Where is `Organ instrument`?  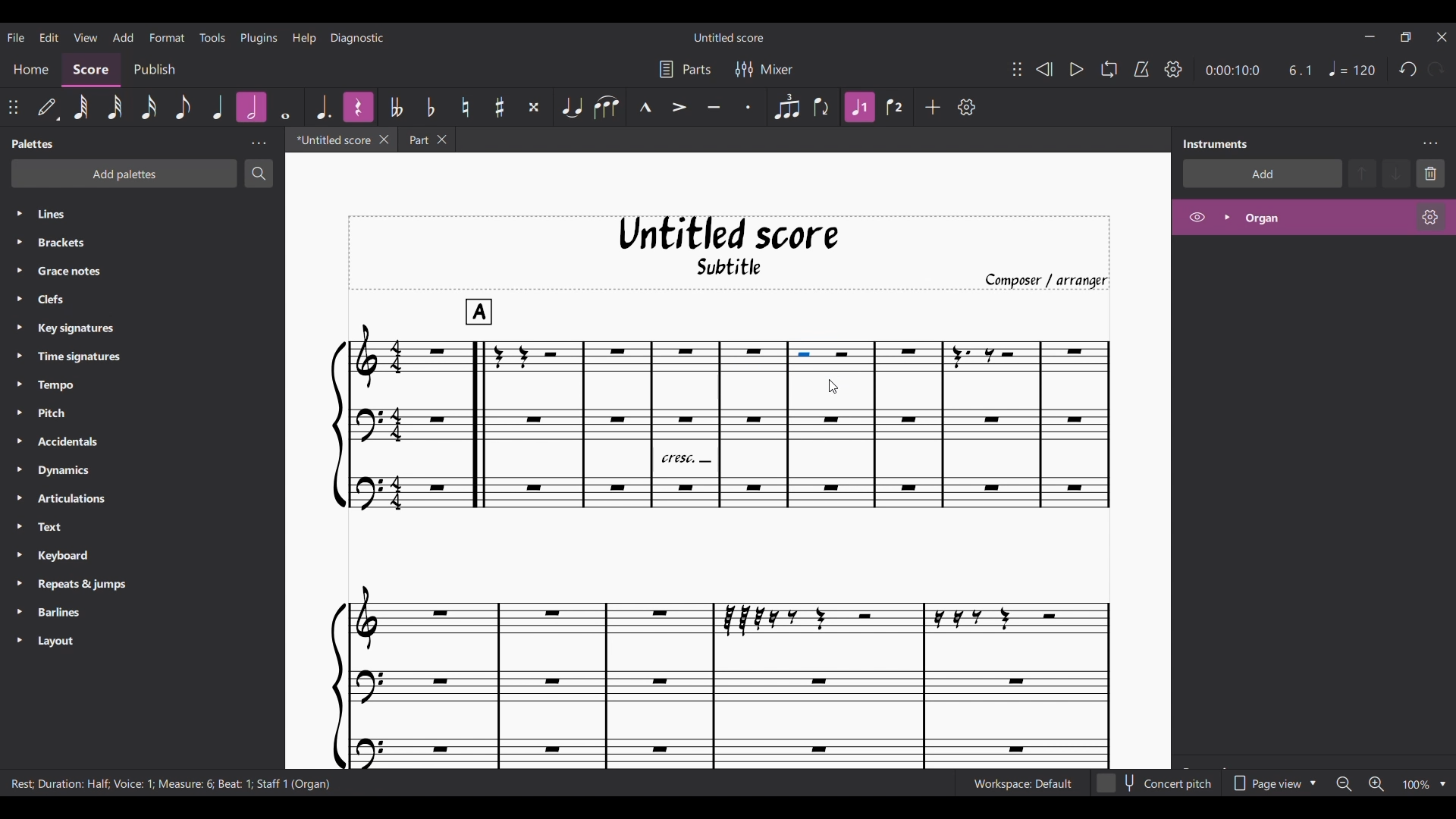 Organ instrument is located at coordinates (1323, 218).